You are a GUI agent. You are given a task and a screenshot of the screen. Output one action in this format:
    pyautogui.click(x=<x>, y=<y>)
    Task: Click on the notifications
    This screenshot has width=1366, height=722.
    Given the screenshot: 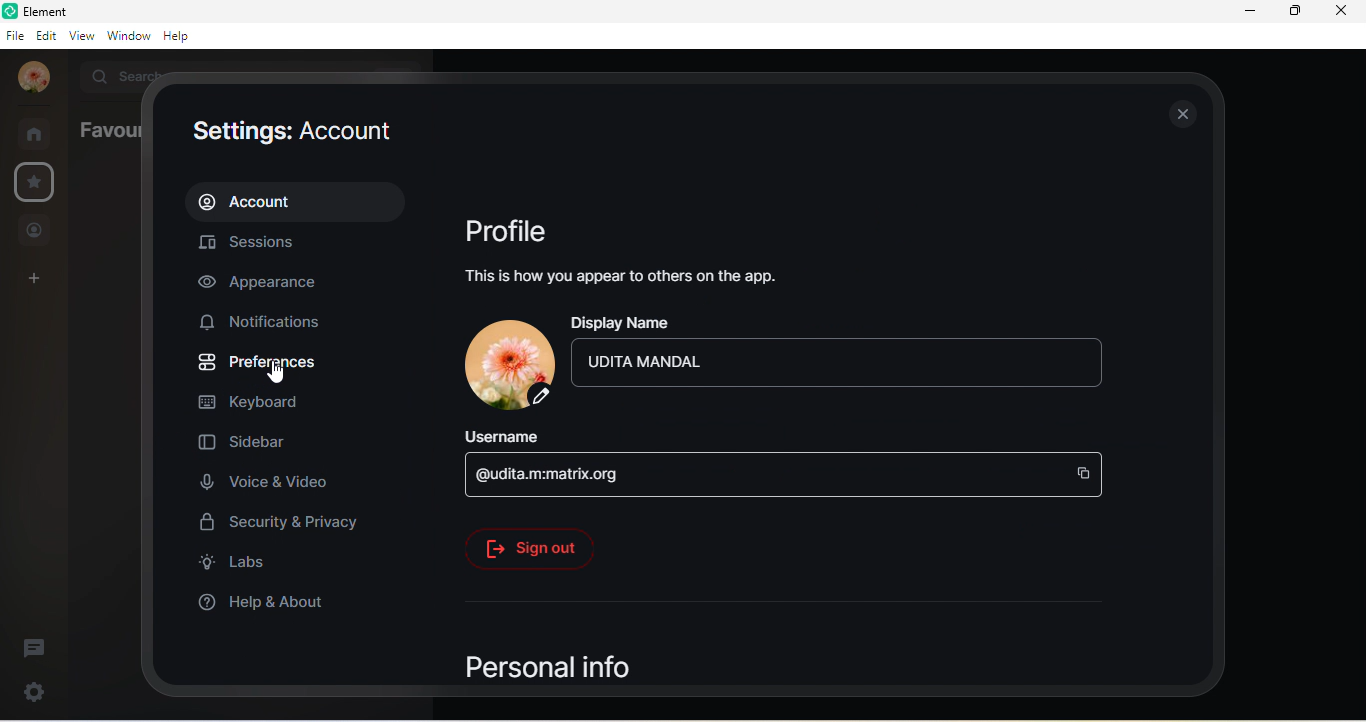 What is the action you would take?
    pyautogui.click(x=270, y=324)
    